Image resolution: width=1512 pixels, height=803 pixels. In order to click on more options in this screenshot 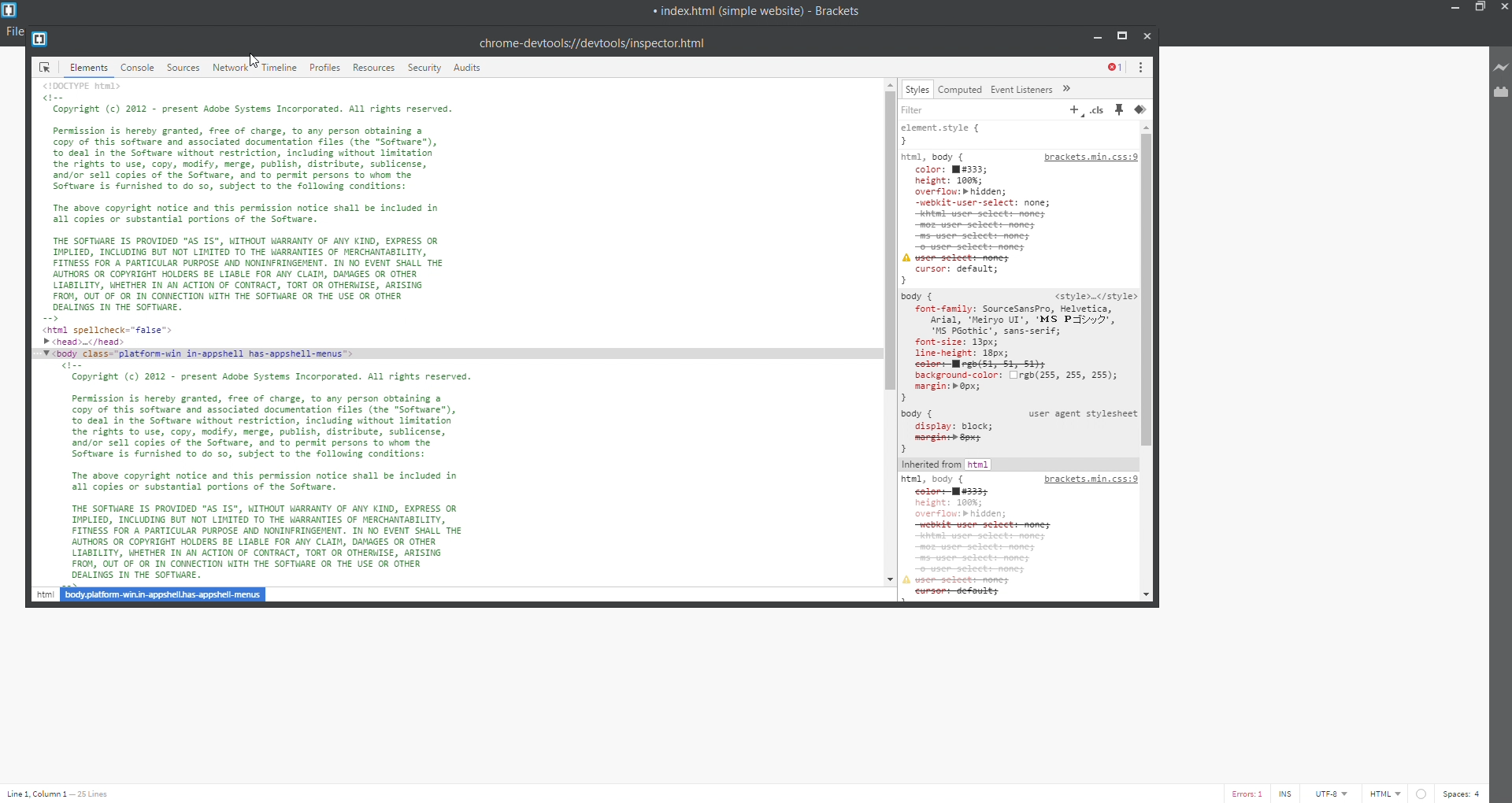, I will do `click(1146, 67)`.